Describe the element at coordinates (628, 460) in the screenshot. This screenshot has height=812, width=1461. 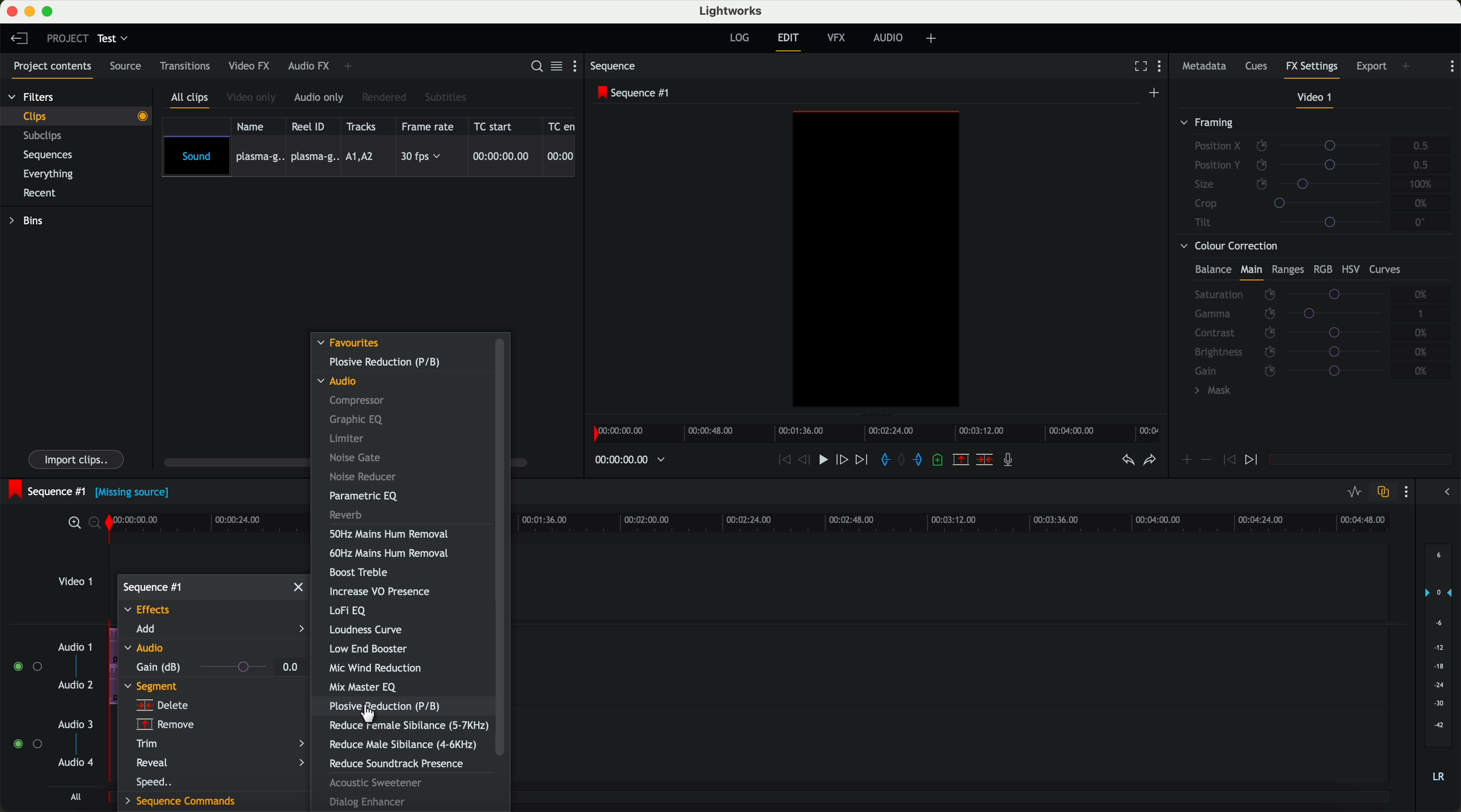
I see `timer` at that location.